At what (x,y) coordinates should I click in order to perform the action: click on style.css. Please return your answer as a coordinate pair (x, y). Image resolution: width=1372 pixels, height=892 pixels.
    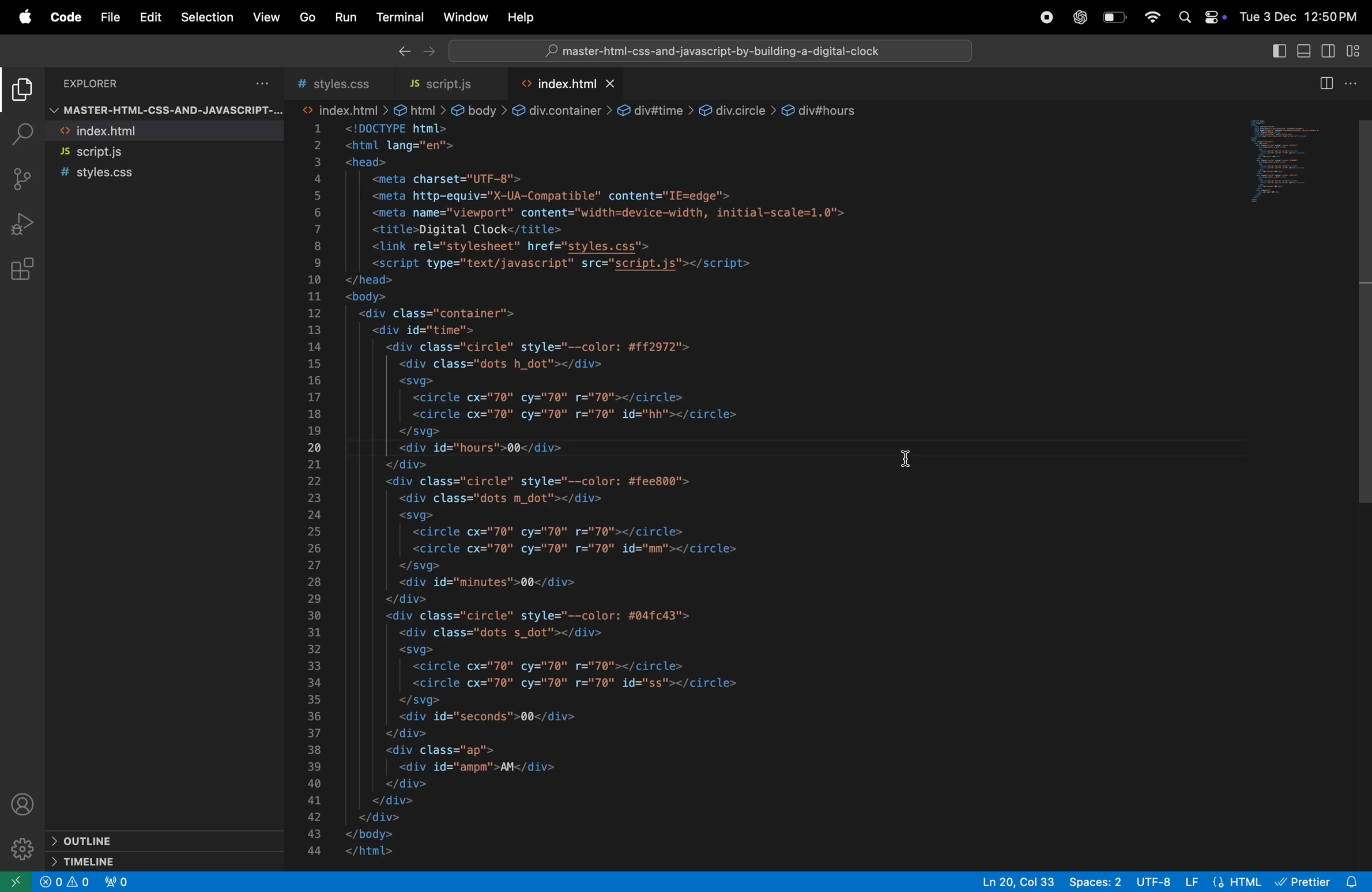
    Looking at the image, I should click on (342, 84).